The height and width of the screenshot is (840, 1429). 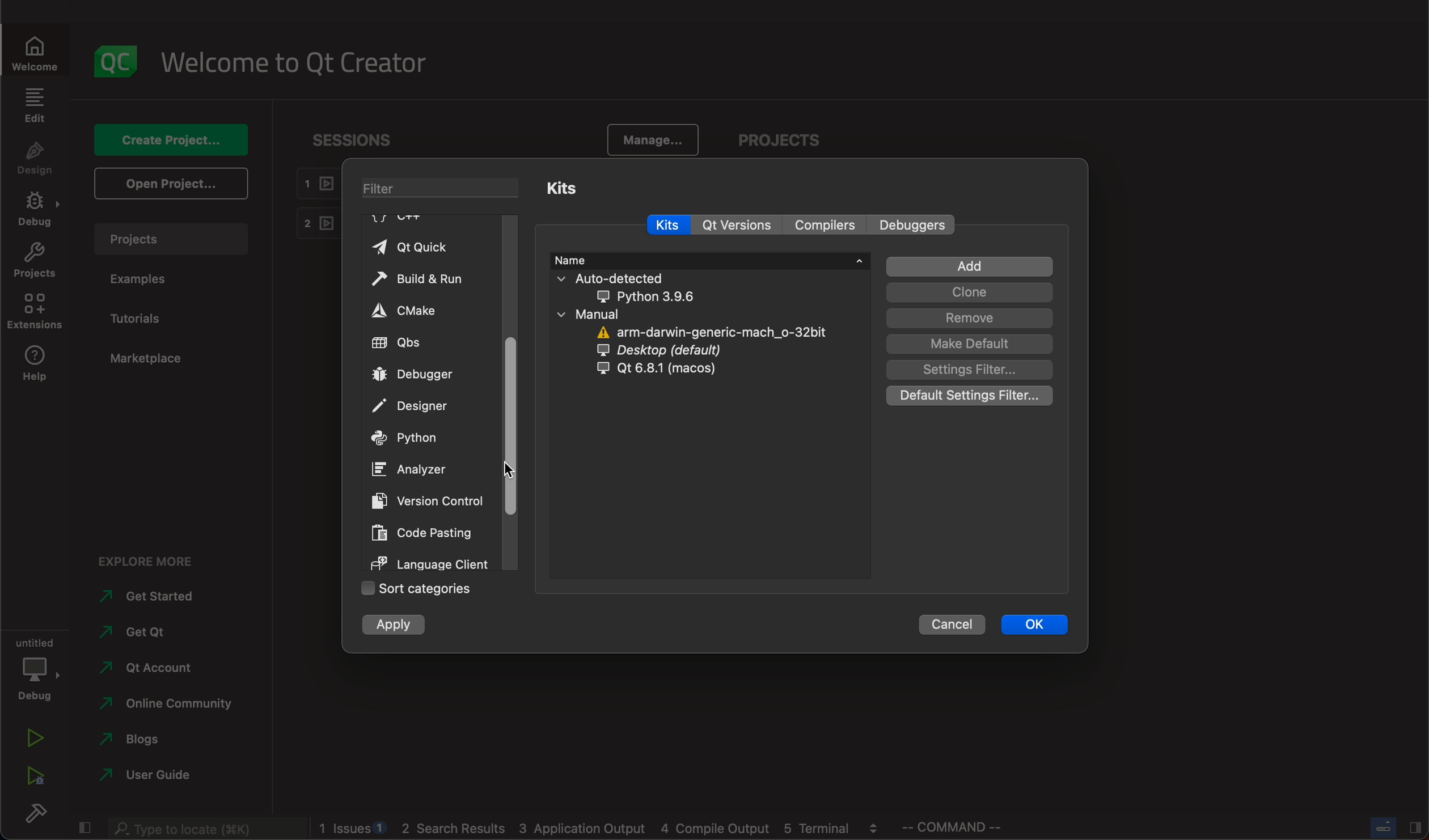 I want to click on remove, so click(x=966, y=320).